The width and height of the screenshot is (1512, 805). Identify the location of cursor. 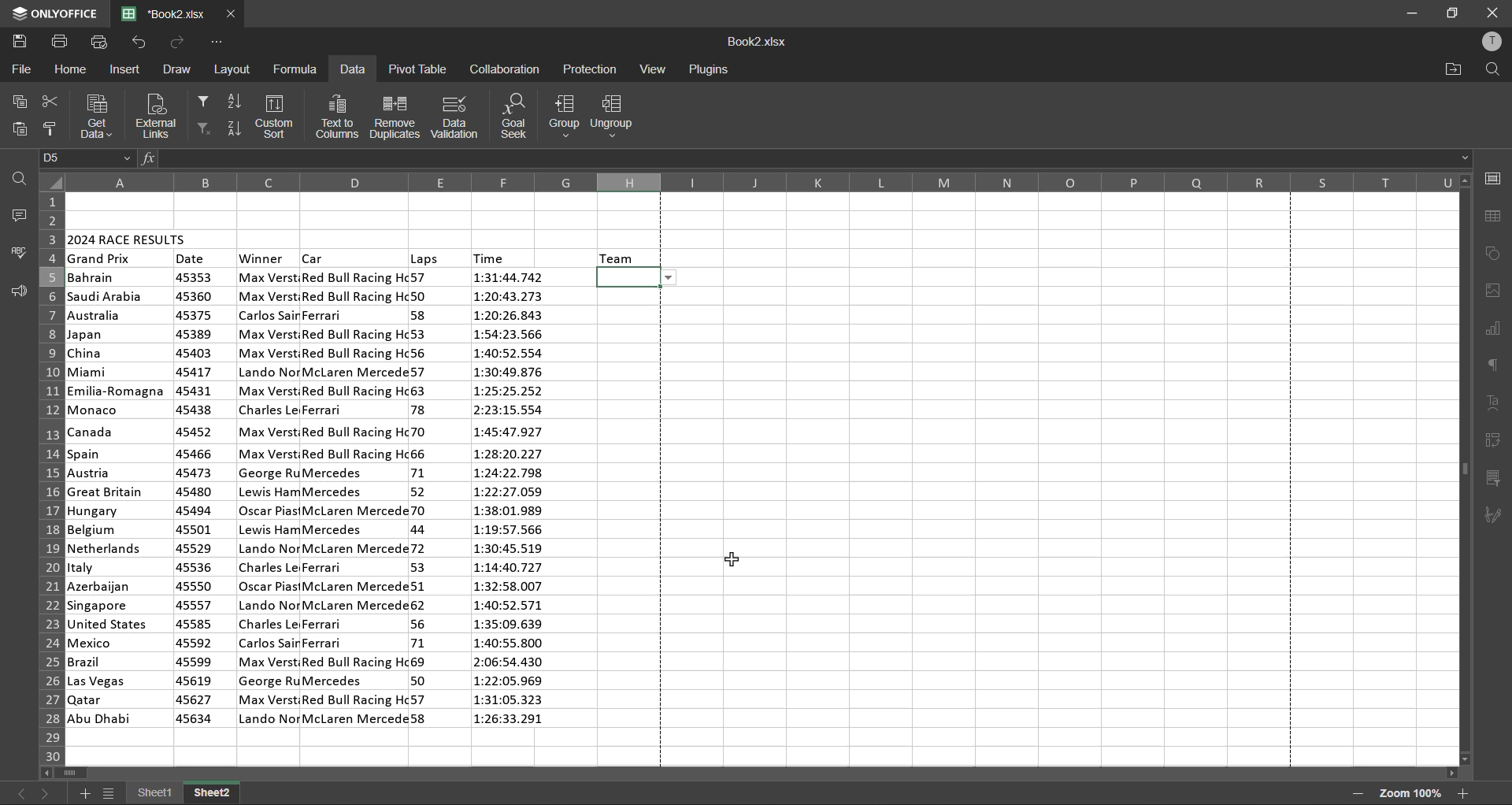
(731, 563).